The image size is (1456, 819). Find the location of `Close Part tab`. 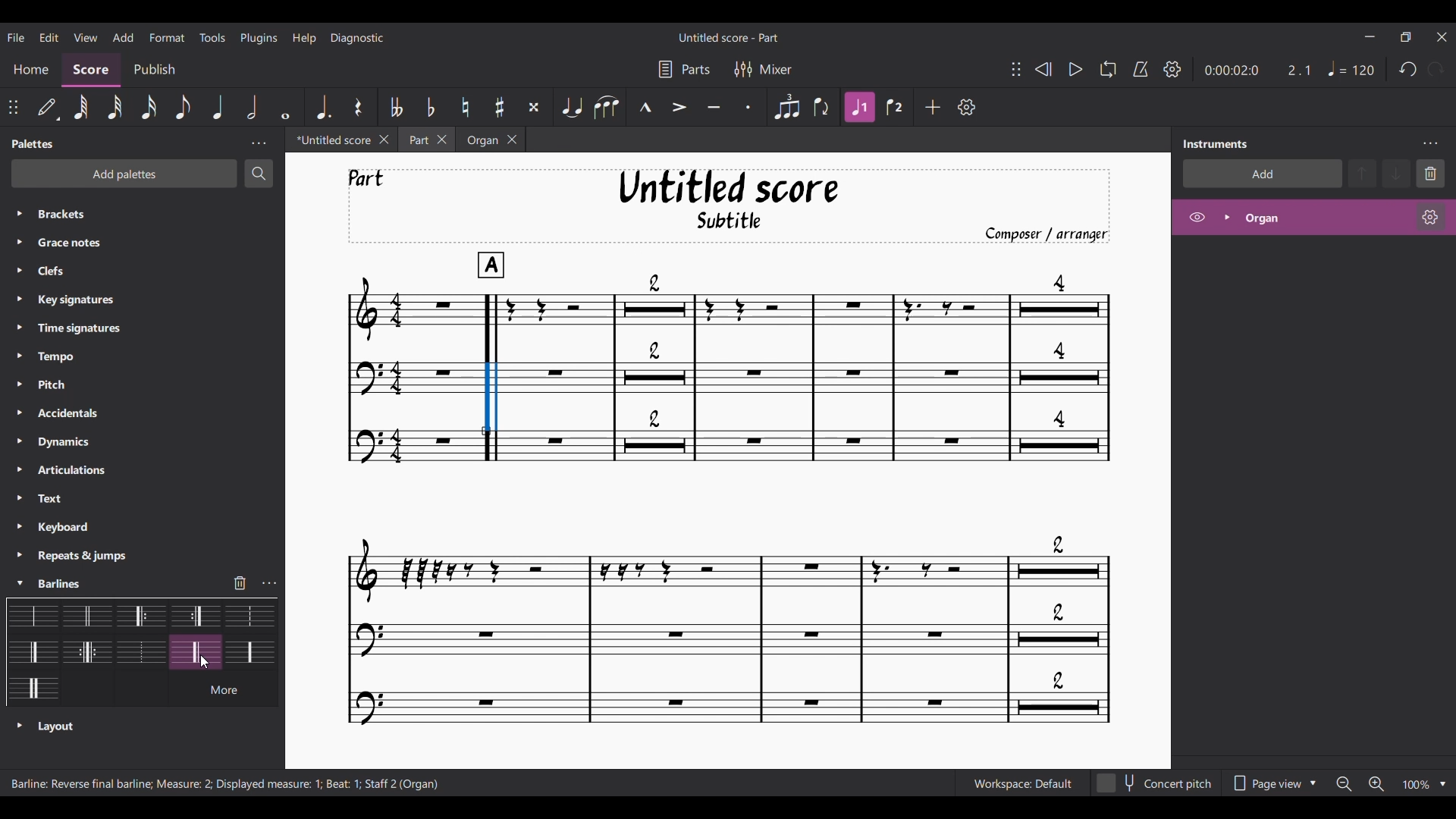

Close Part tab is located at coordinates (442, 140).